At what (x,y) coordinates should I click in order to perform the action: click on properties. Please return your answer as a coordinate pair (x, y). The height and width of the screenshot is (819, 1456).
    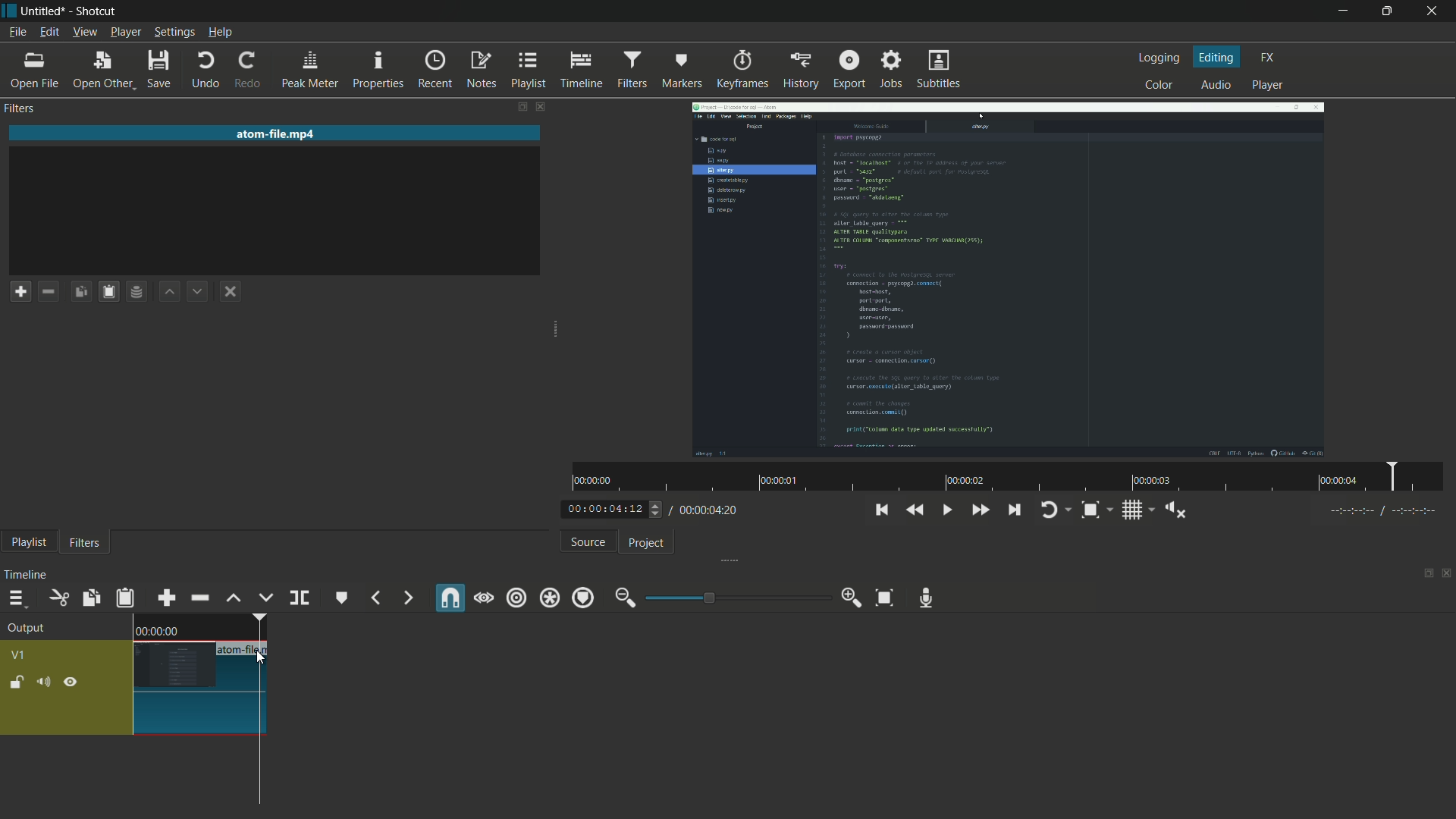
    Looking at the image, I should click on (377, 71).